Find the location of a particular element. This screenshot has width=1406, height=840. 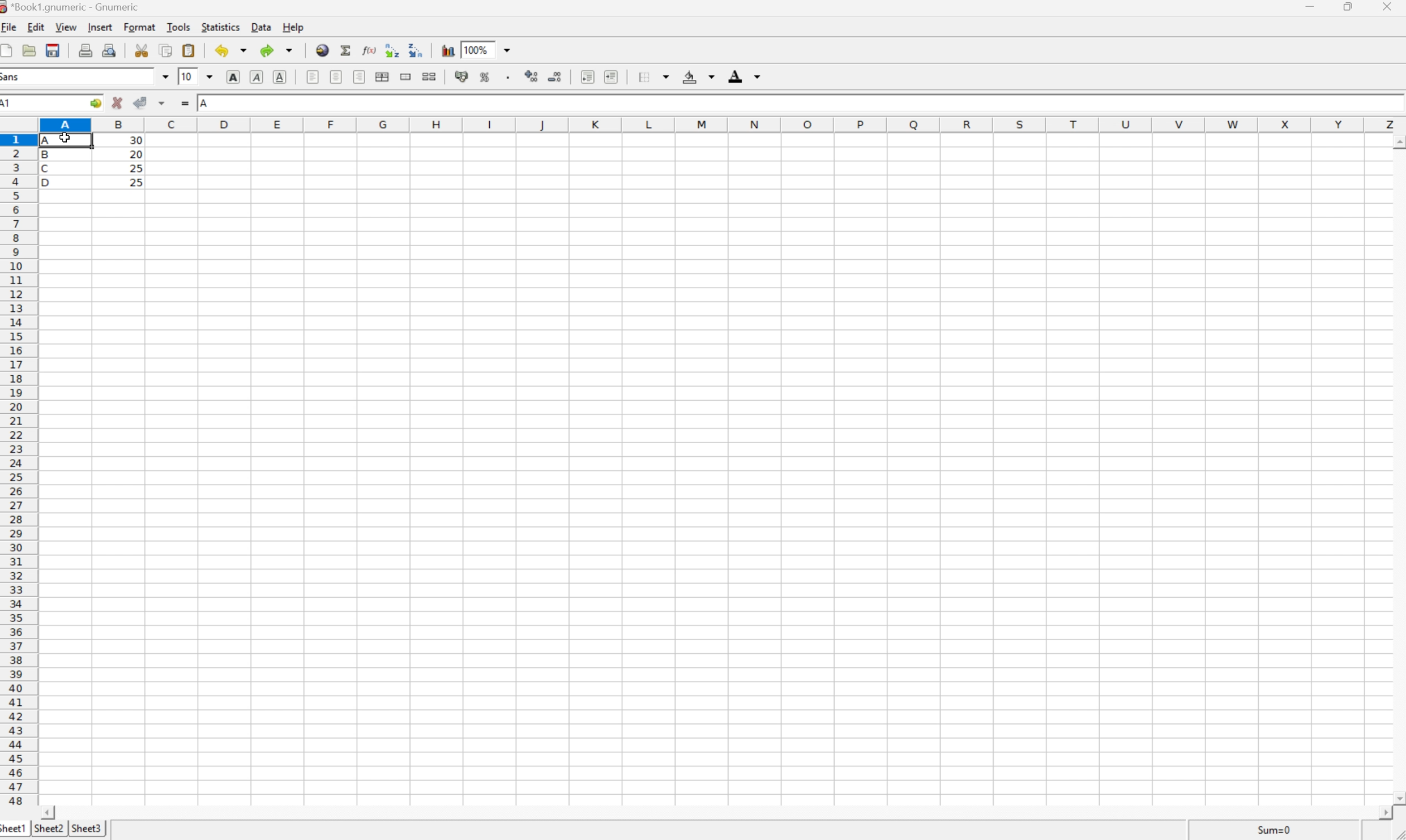

Format selection as percentage is located at coordinates (486, 79).